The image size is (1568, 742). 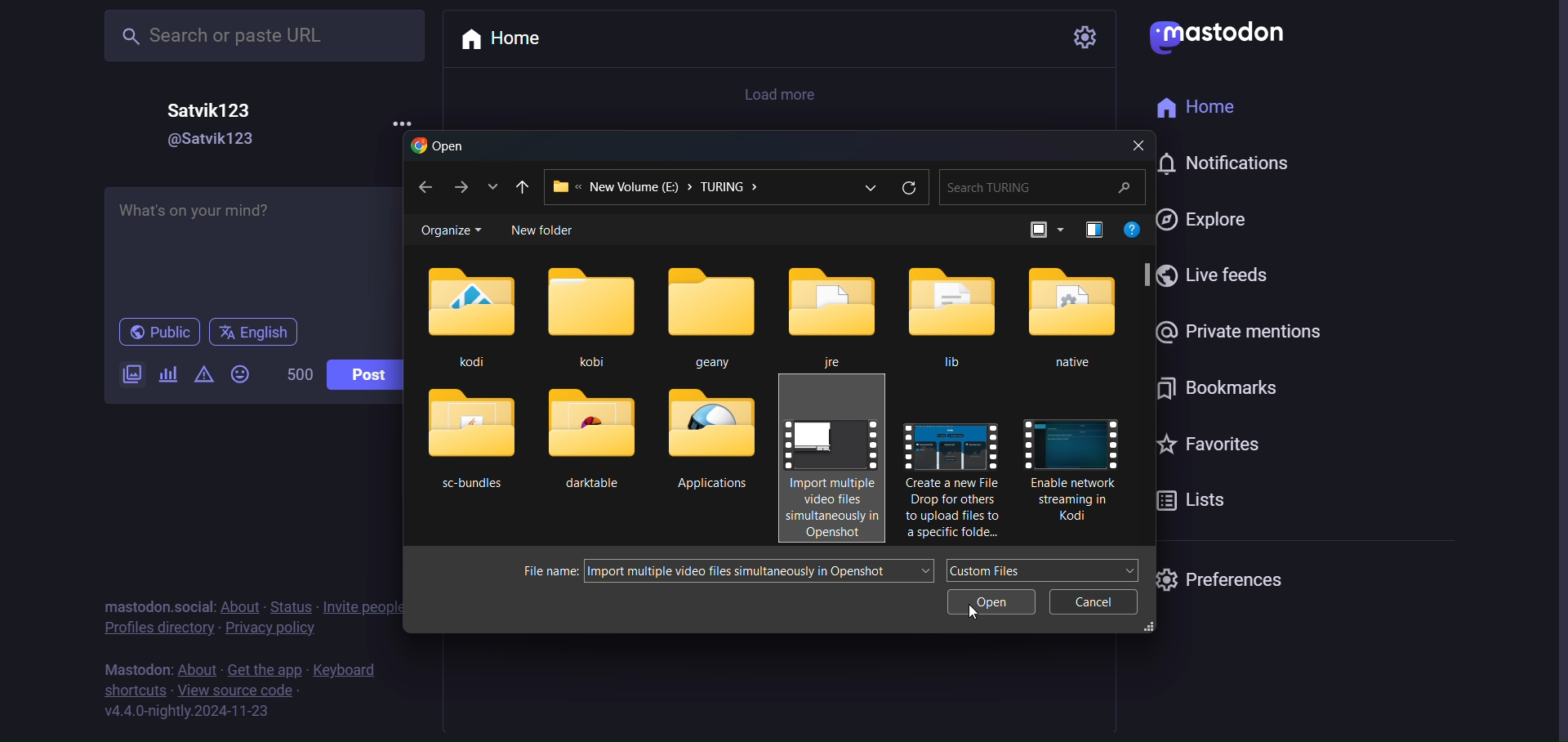 What do you see at coordinates (364, 375) in the screenshot?
I see `post` at bounding box center [364, 375].